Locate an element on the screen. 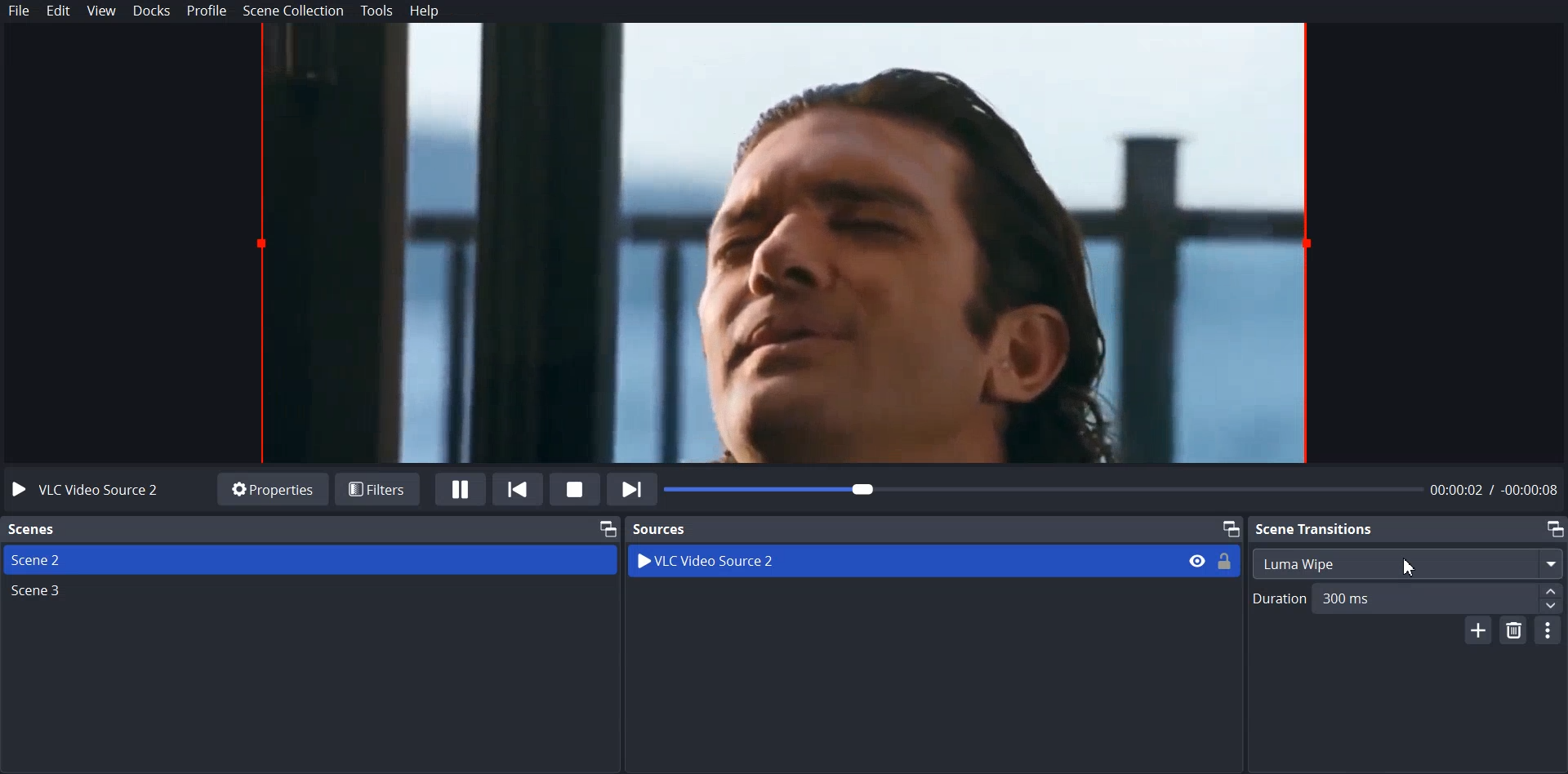  Source 3 is located at coordinates (310, 594).